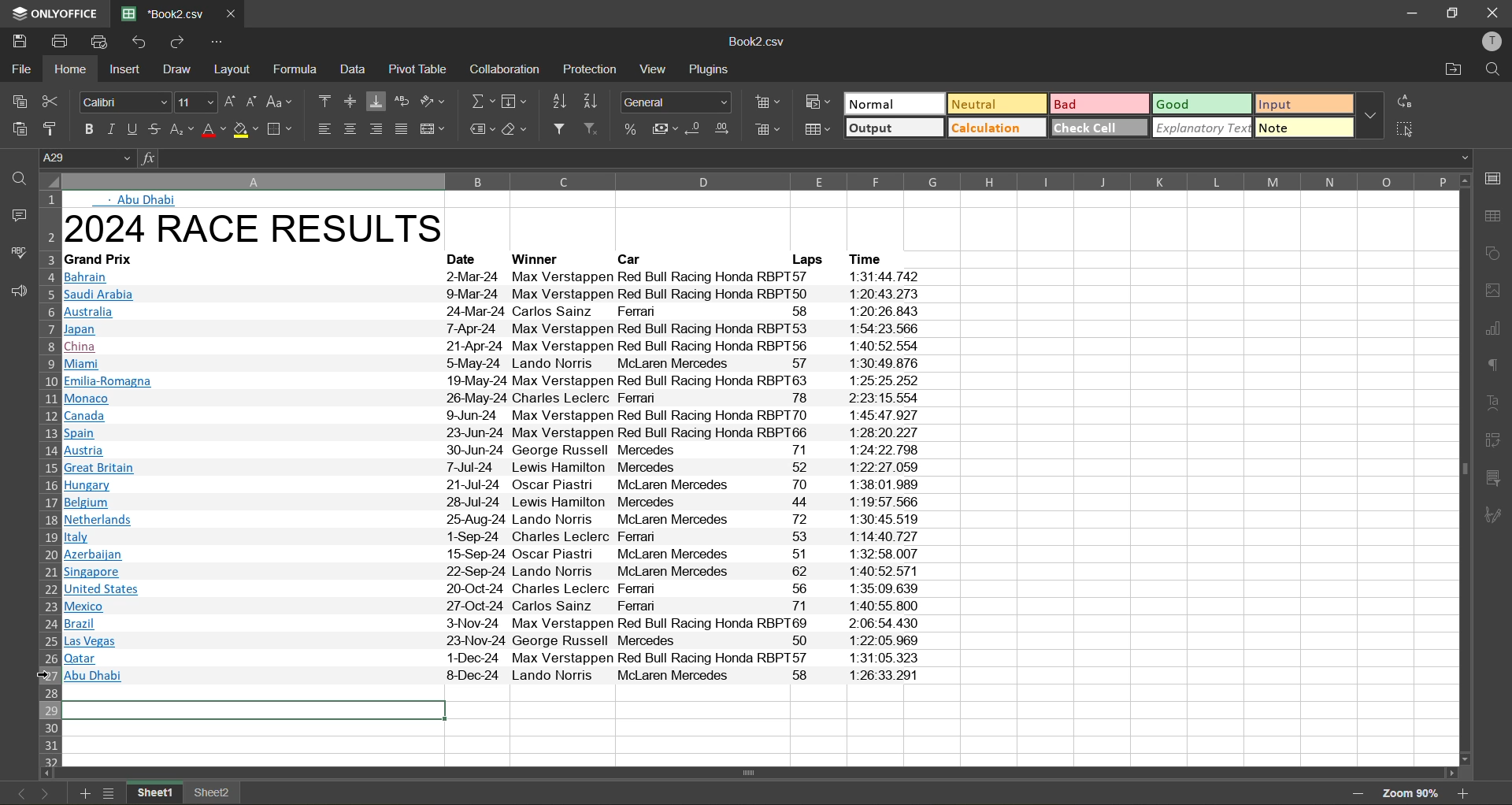 The image size is (1512, 805). What do you see at coordinates (302, 70) in the screenshot?
I see `formula` at bounding box center [302, 70].